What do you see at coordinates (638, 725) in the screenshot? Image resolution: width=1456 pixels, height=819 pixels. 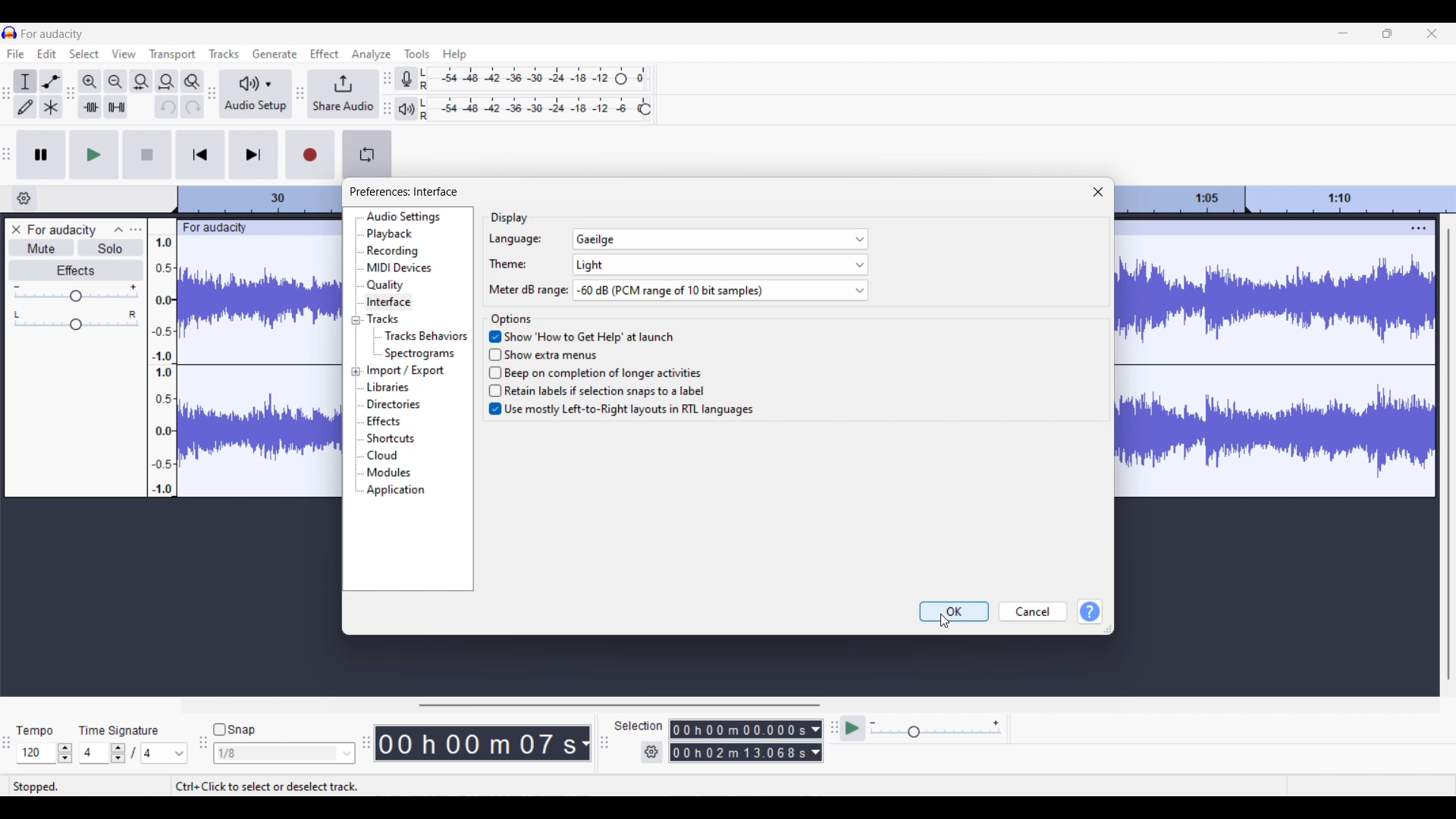 I see `selection` at bounding box center [638, 725].